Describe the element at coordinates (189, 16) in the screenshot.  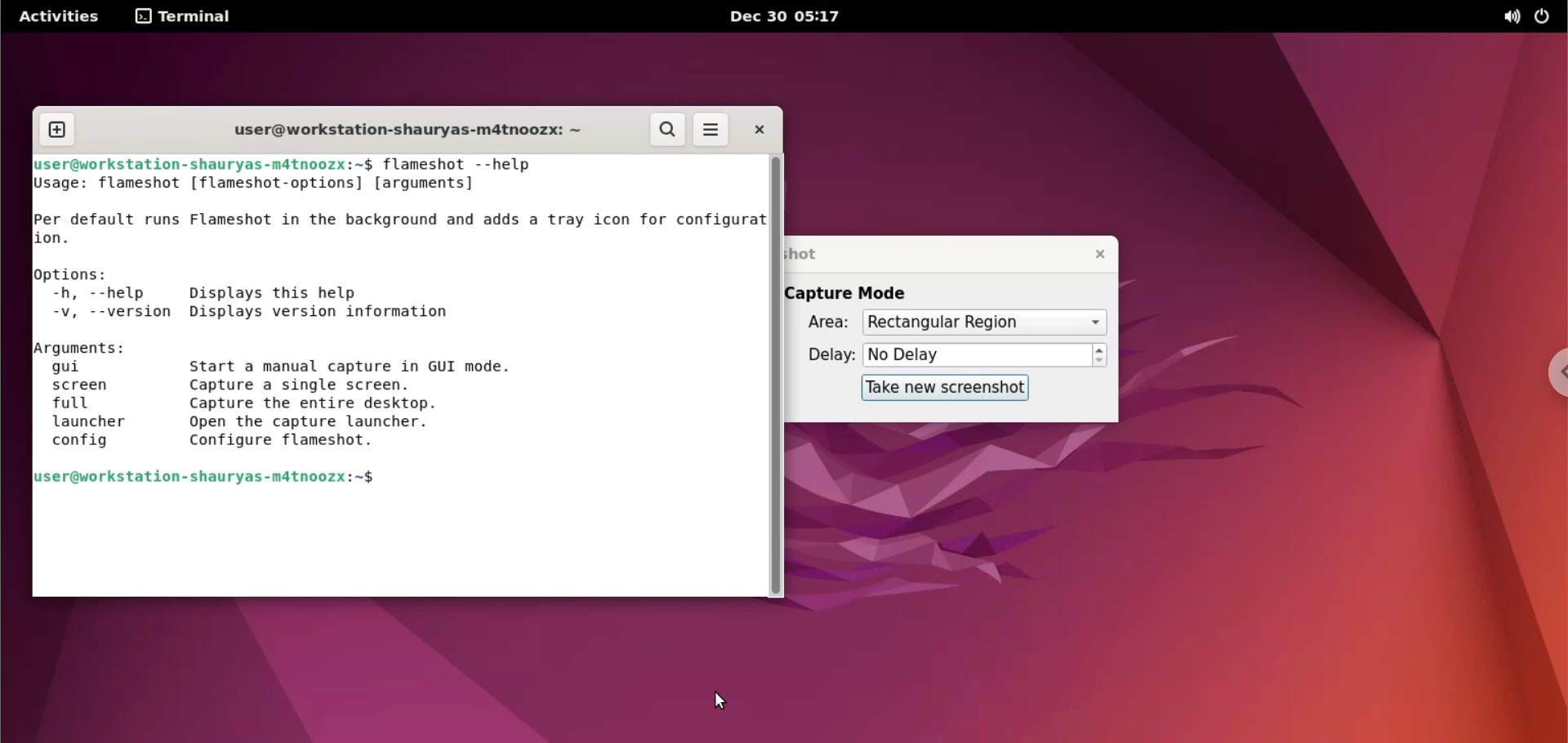
I see `Terminal menu` at that location.